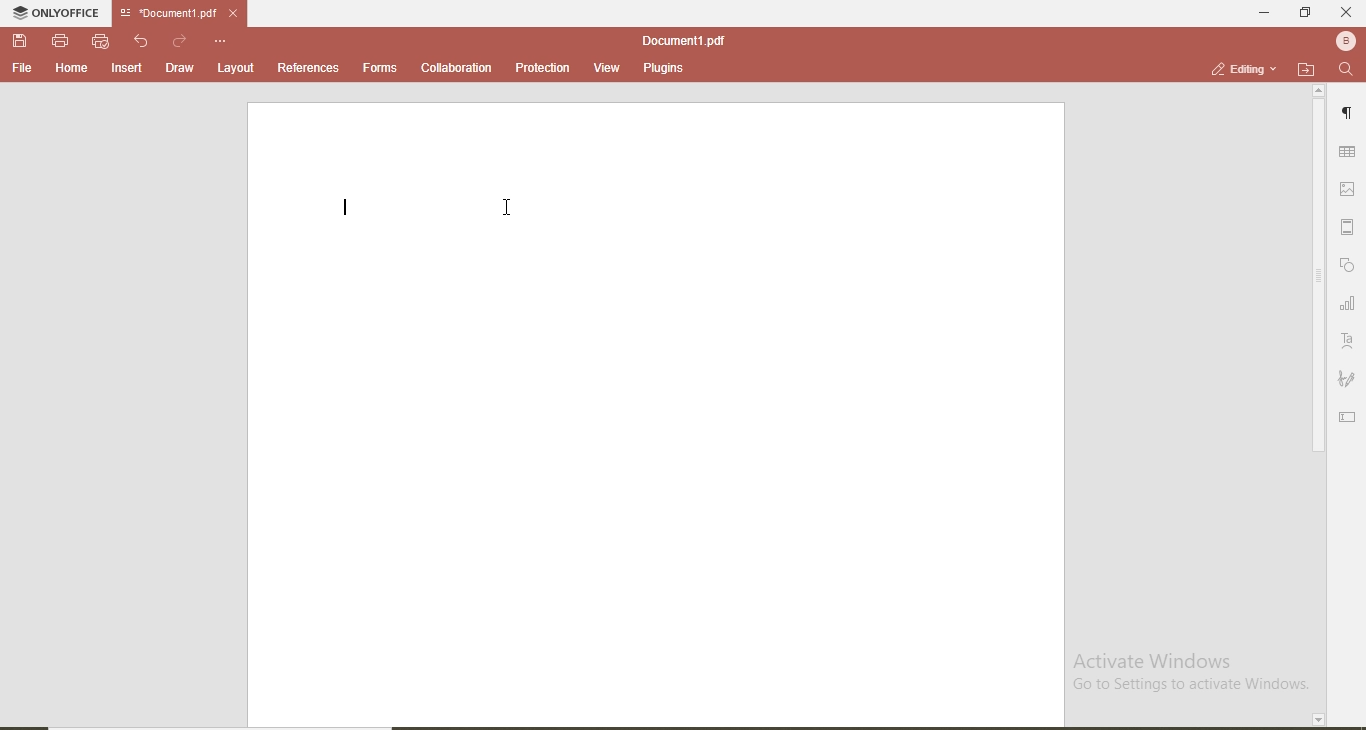  I want to click on forms, so click(379, 70).